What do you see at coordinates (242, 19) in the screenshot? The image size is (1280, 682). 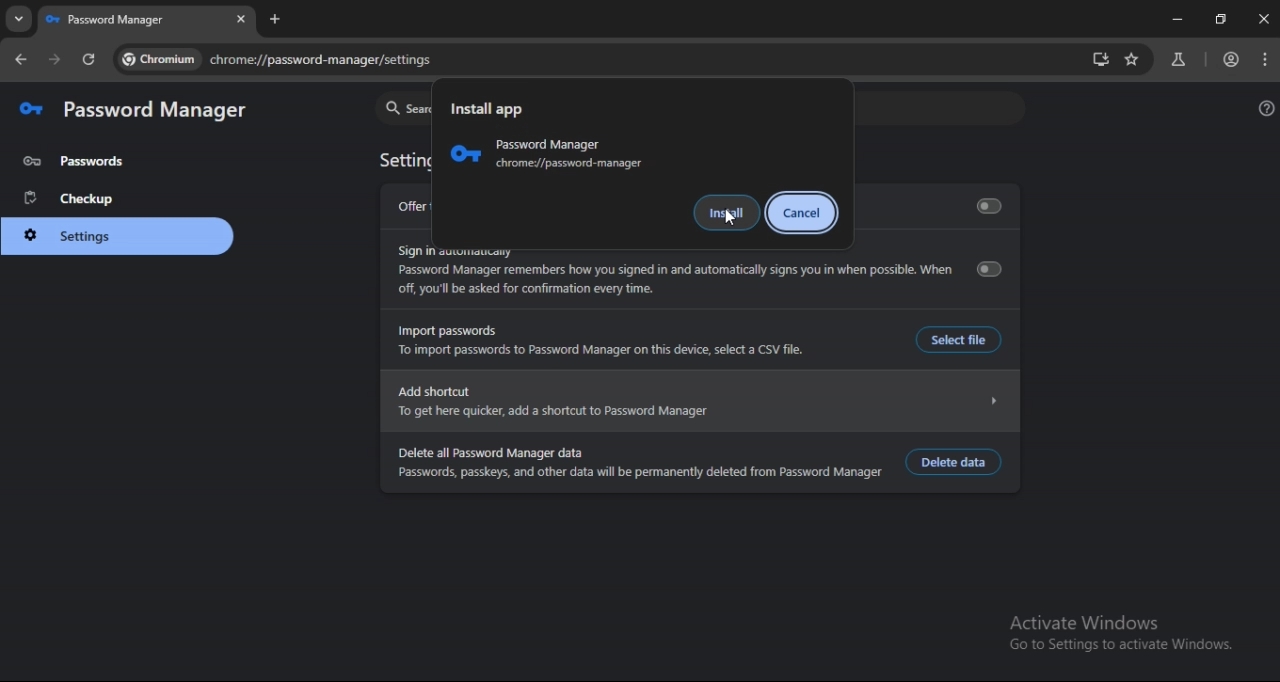 I see `close tab` at bounding box center [242, 19].